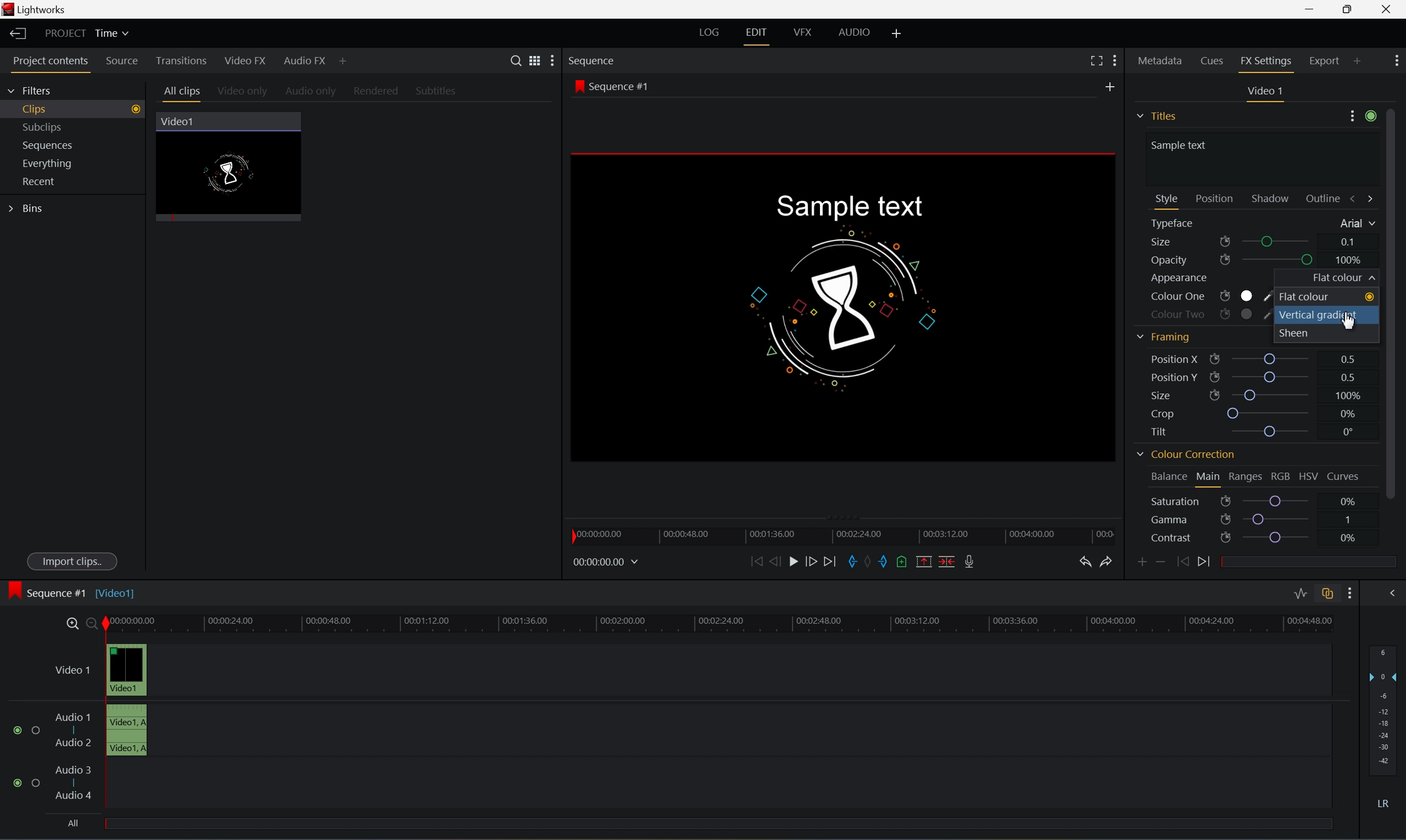  Describe the element at coordinates (898, 32) in the screenshot. I see `add` at that location.